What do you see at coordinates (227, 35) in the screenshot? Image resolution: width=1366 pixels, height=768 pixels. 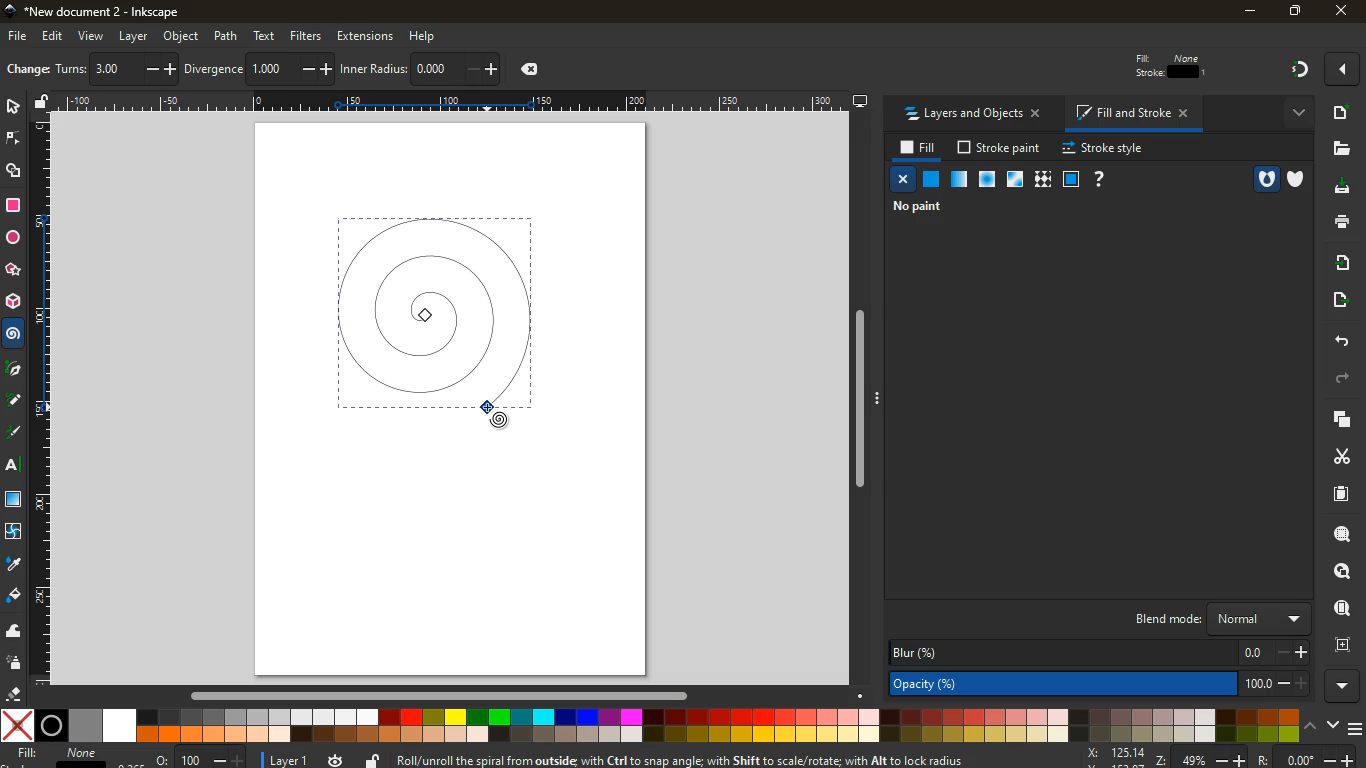 I see `` at bounding box center [227, 35].